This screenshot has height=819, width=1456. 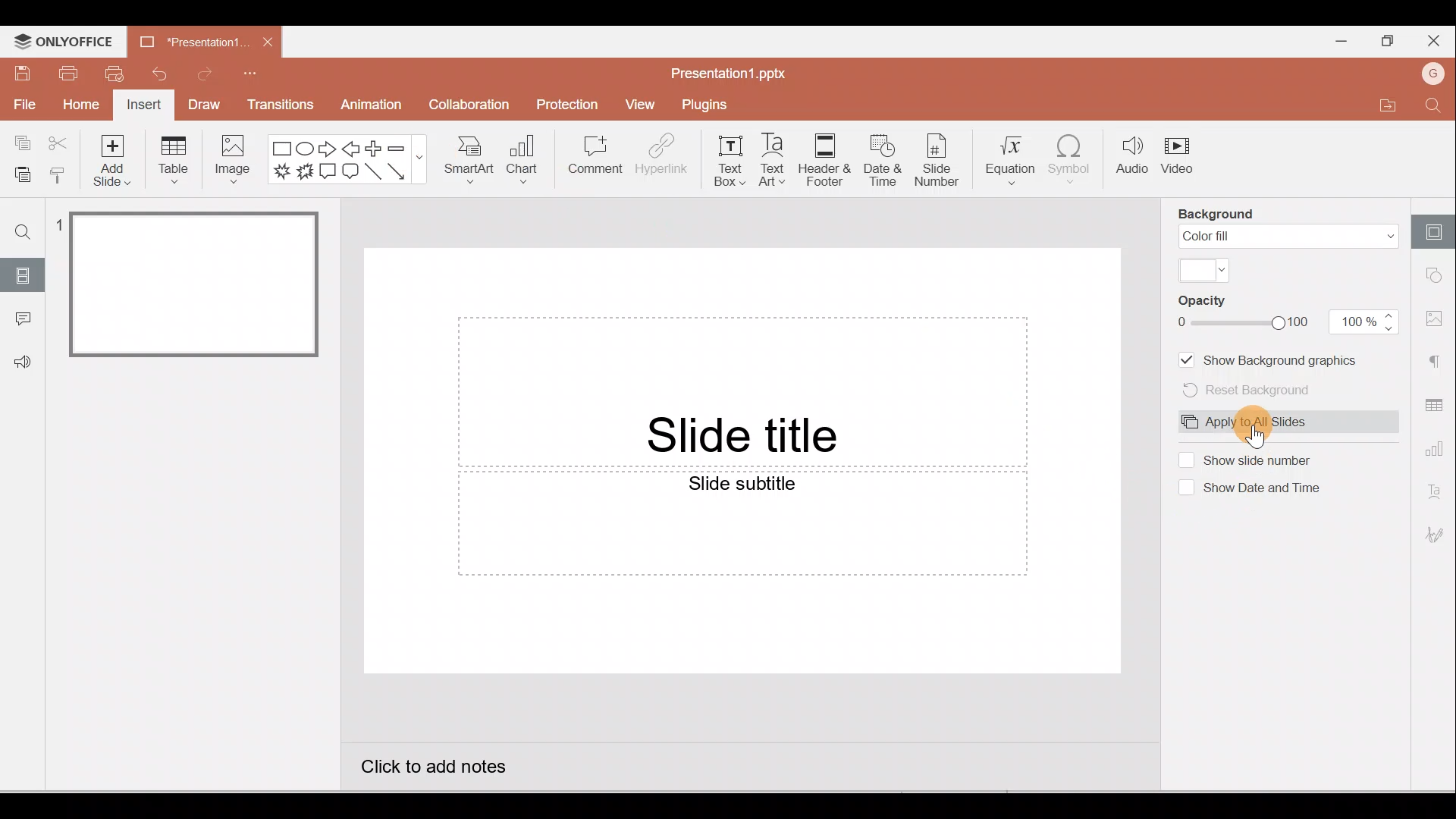 What do you see at coordinates (24, 227) in the screenshot?
I see `Find` at bounding box center [24, 227].